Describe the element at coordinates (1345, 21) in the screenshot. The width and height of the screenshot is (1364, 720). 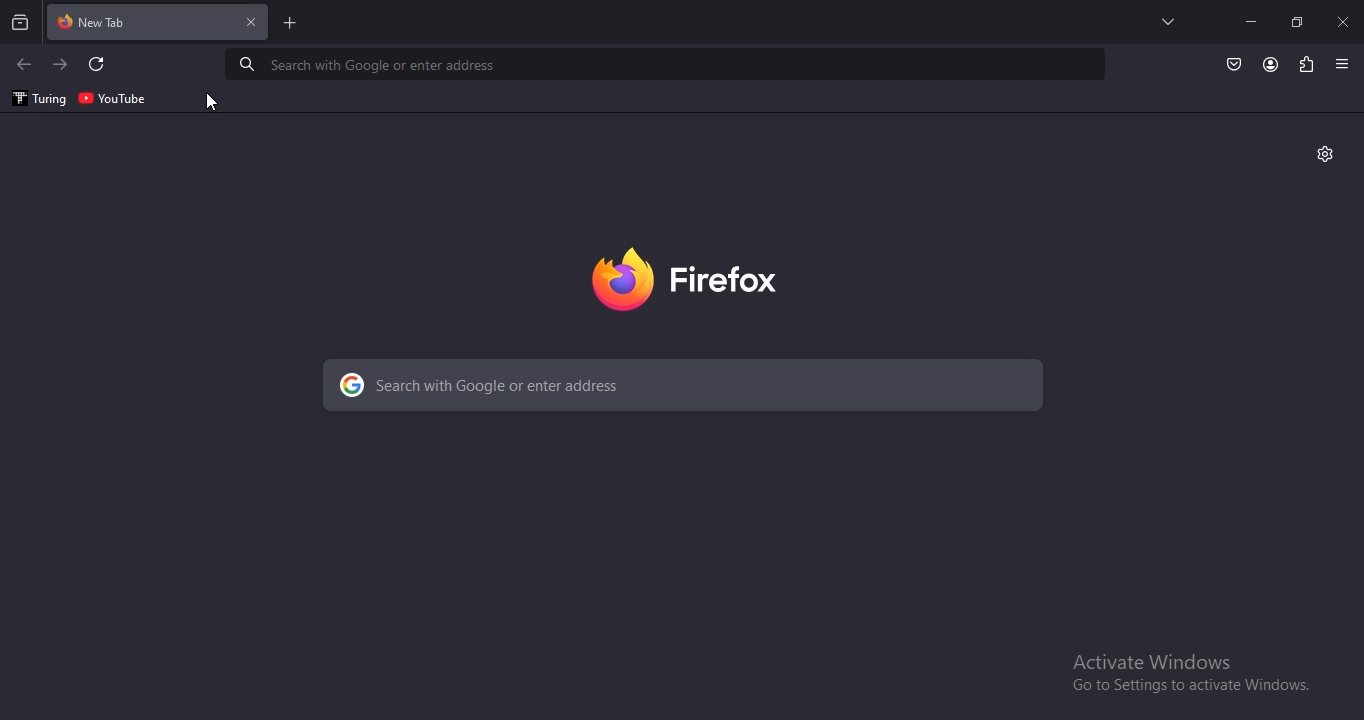
I see `close` at that location.